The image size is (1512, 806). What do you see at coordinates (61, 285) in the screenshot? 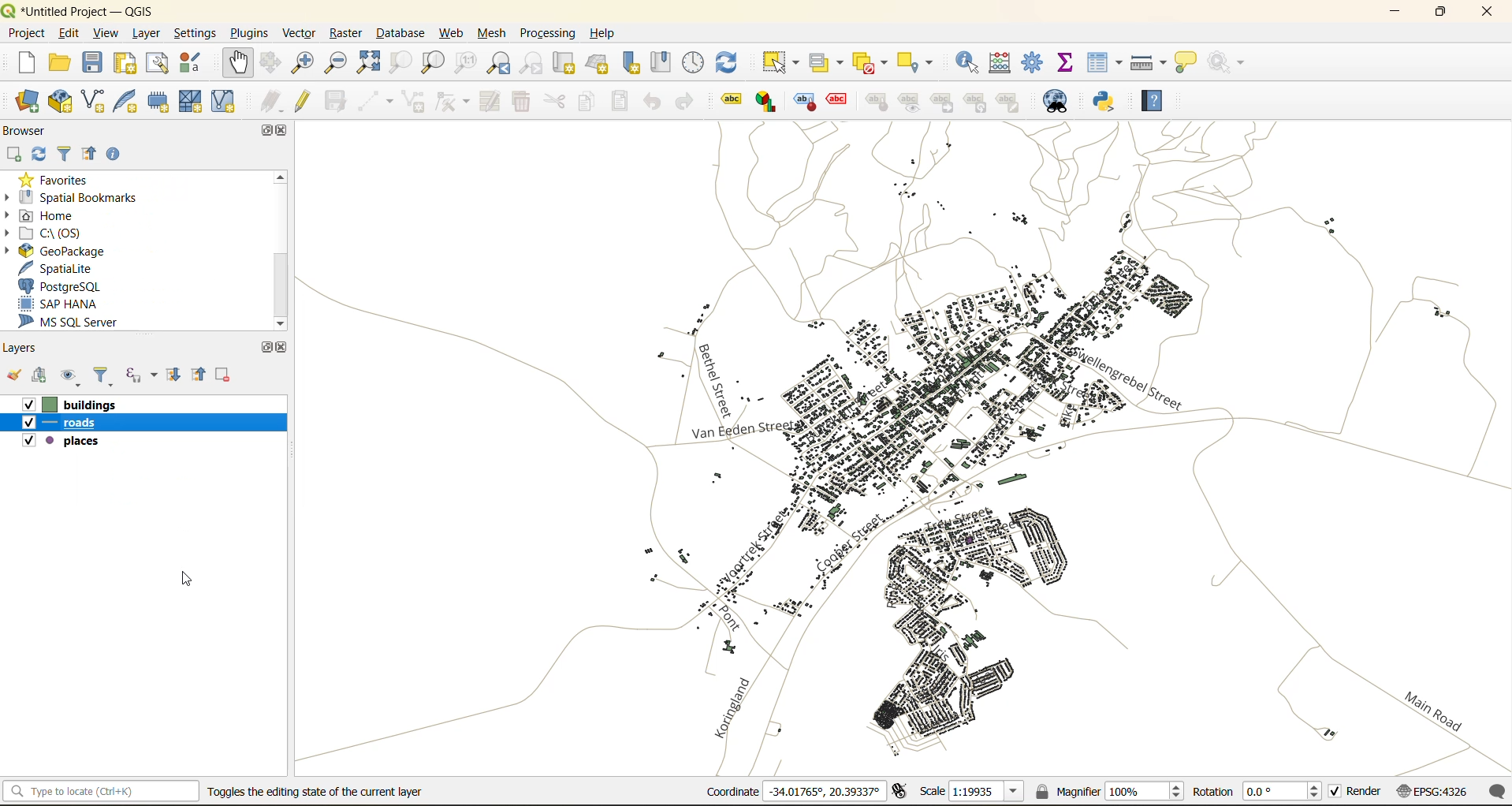
I see `postgresql` at bounding box center [61, 285].